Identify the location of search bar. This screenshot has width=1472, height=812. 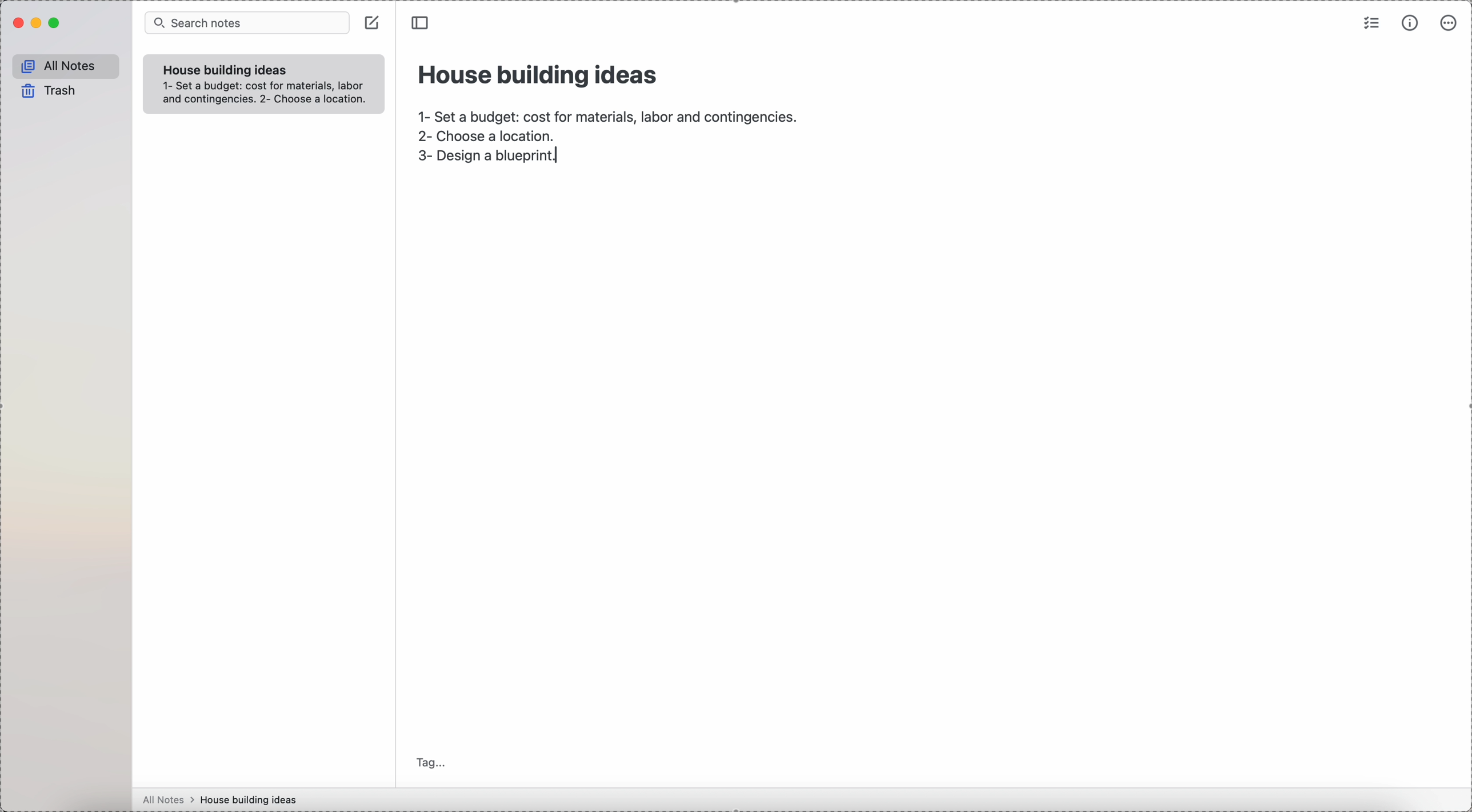
(246, 23).